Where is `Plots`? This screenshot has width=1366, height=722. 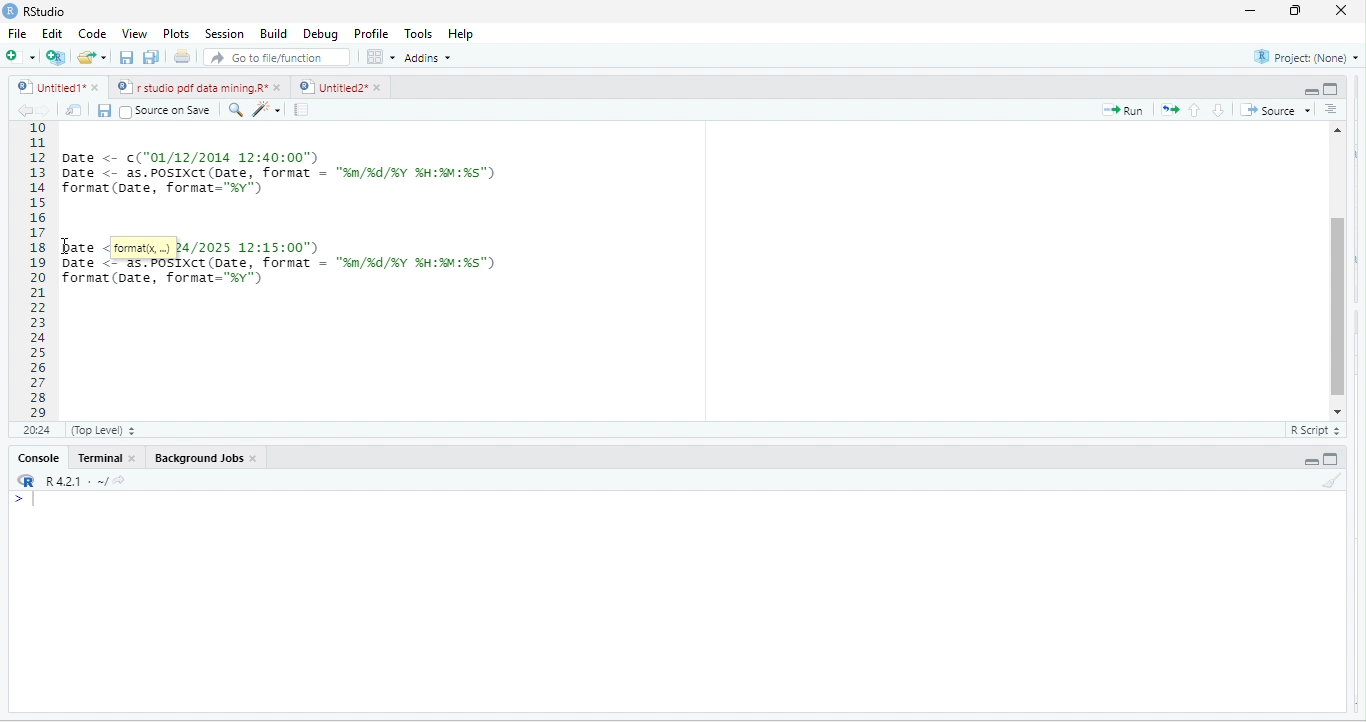 Plots is located at coordinates (176, 35).